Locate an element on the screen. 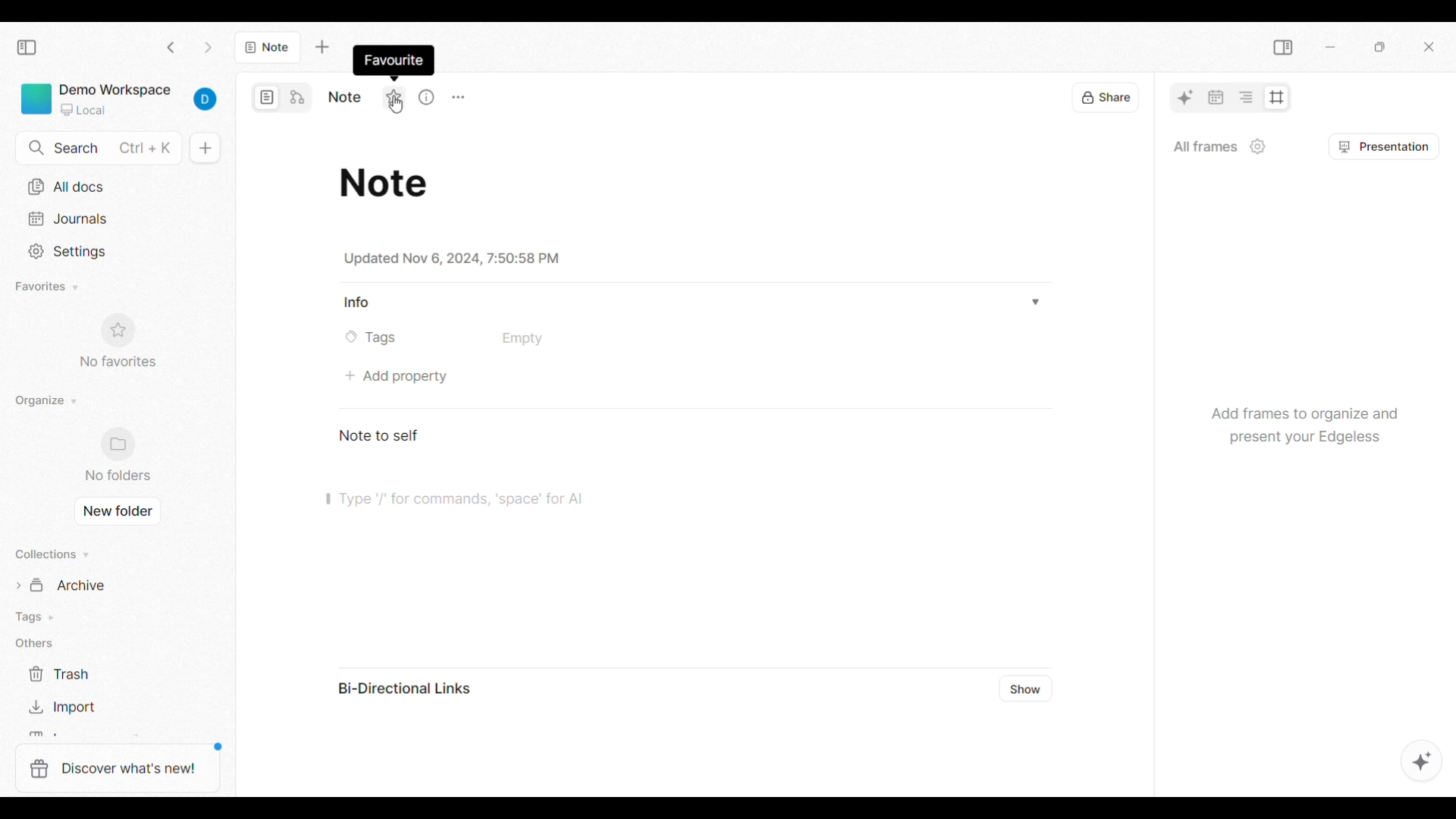 The image size is (1456, 819). Import folder is located at coordinates (98, 706).